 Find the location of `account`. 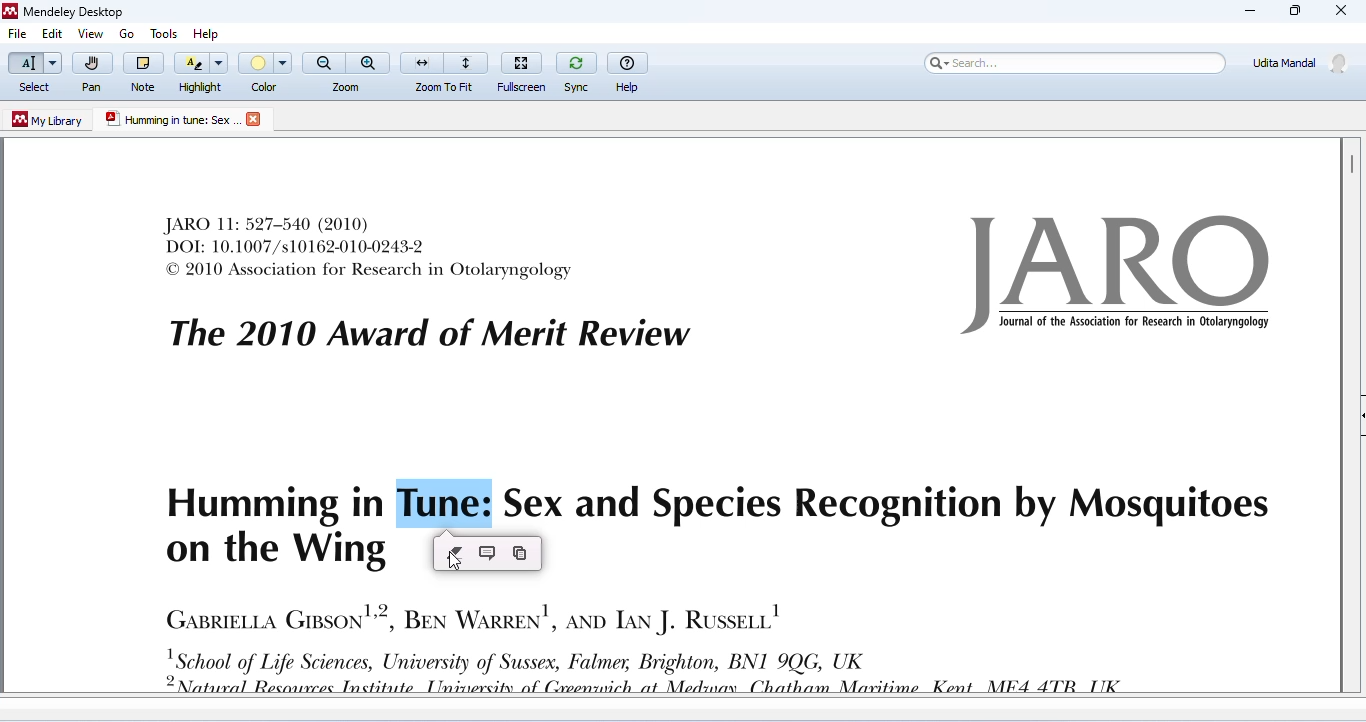

account is located at coordinates (1301, 62).